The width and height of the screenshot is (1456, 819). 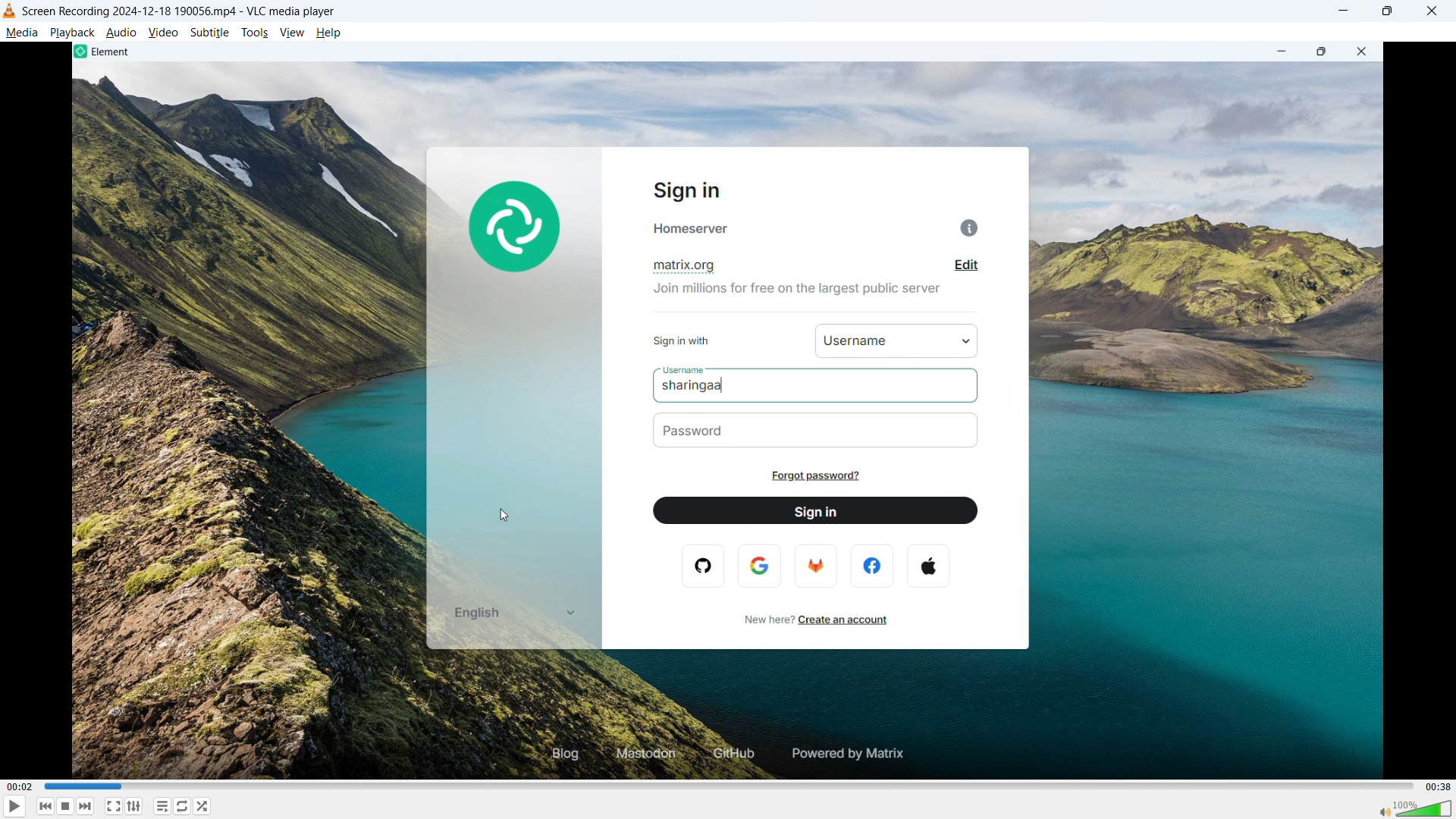 I want to click on GitLab, so click(x=817, y=566).